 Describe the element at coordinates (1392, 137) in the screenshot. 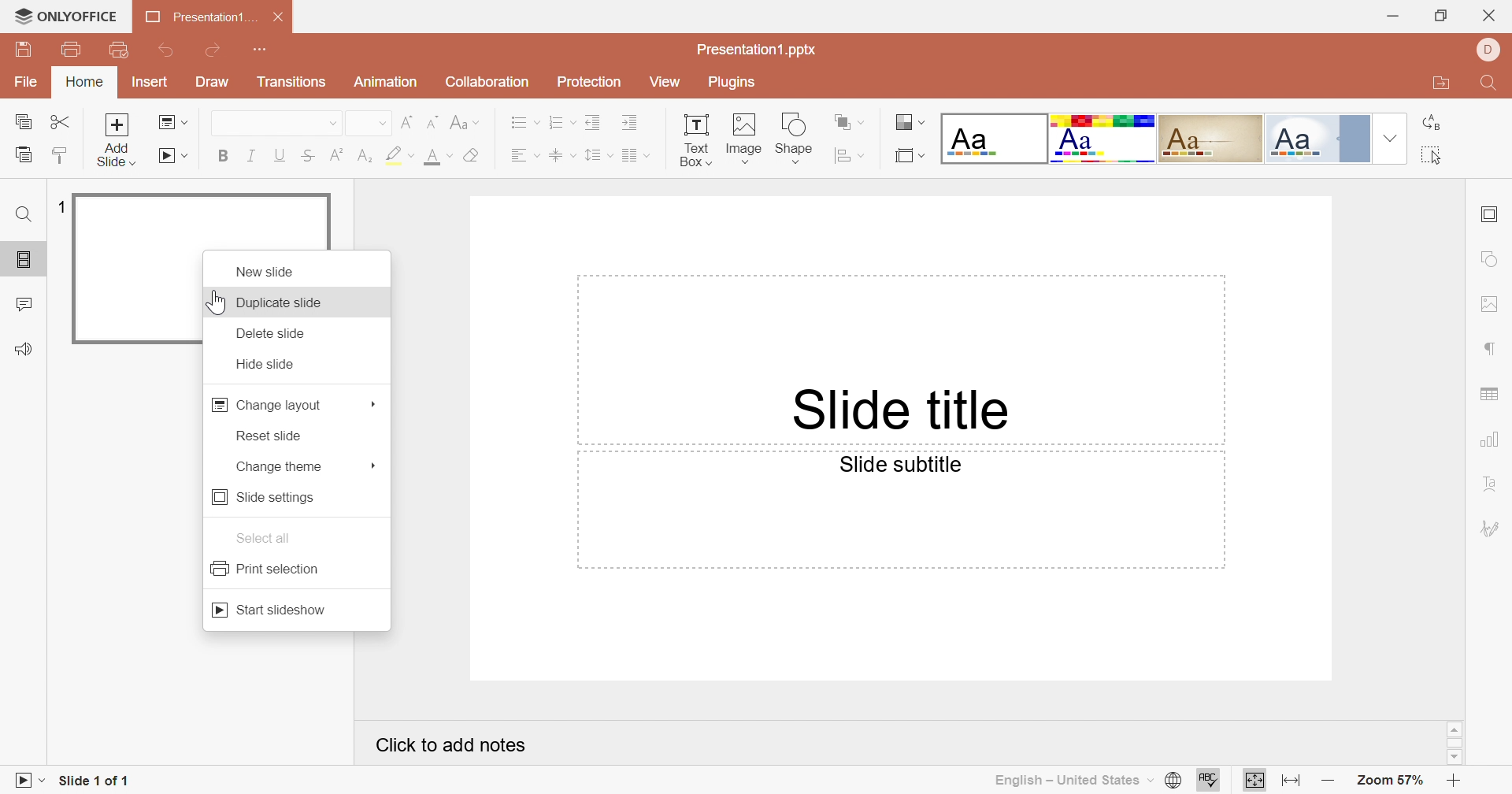

I see `Drop Down` at that location.